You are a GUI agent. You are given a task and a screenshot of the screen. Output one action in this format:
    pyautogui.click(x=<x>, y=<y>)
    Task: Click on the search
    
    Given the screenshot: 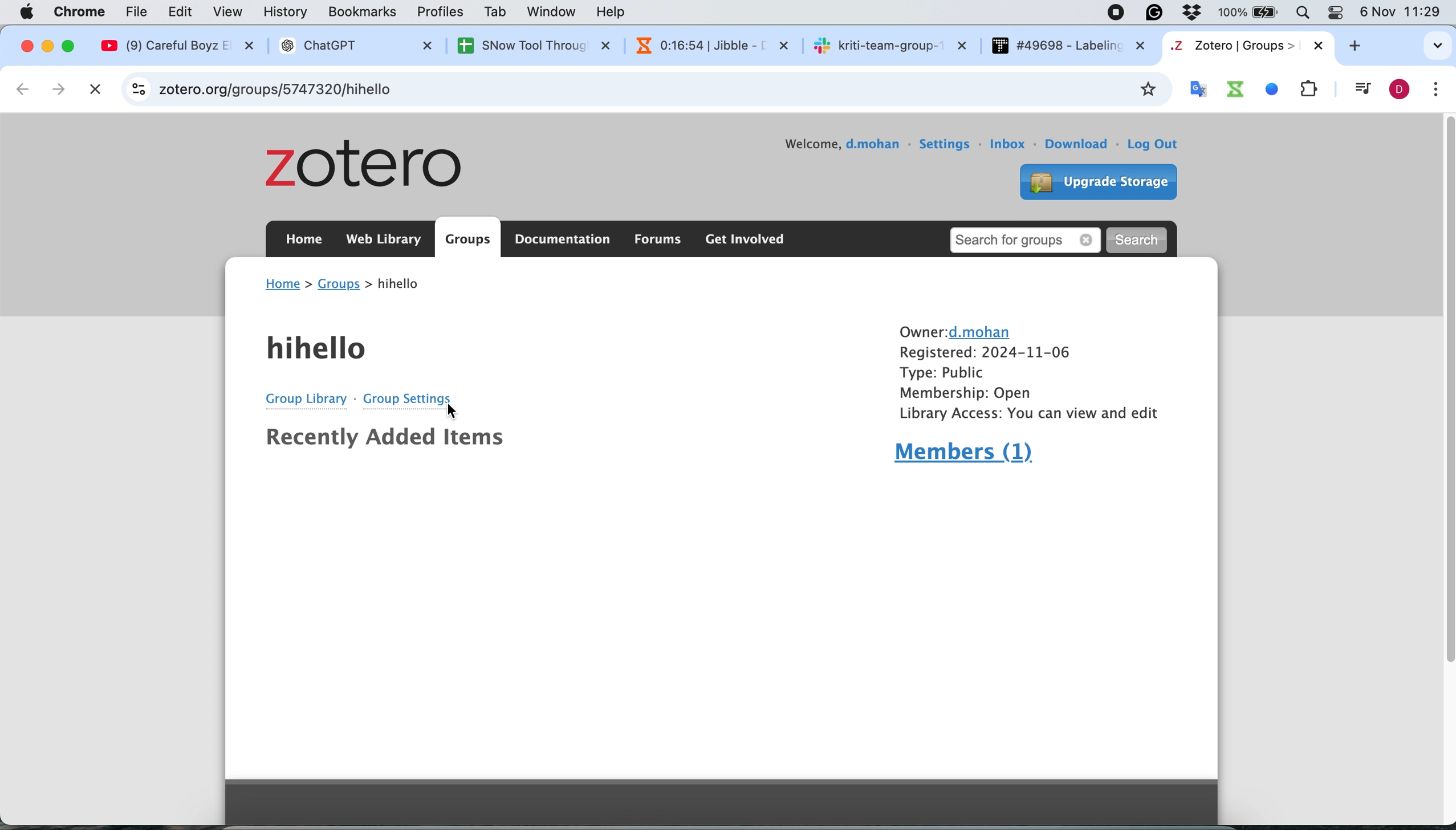 What is the action you would take?
    pyautogui.click(x=1141, y=239)
    